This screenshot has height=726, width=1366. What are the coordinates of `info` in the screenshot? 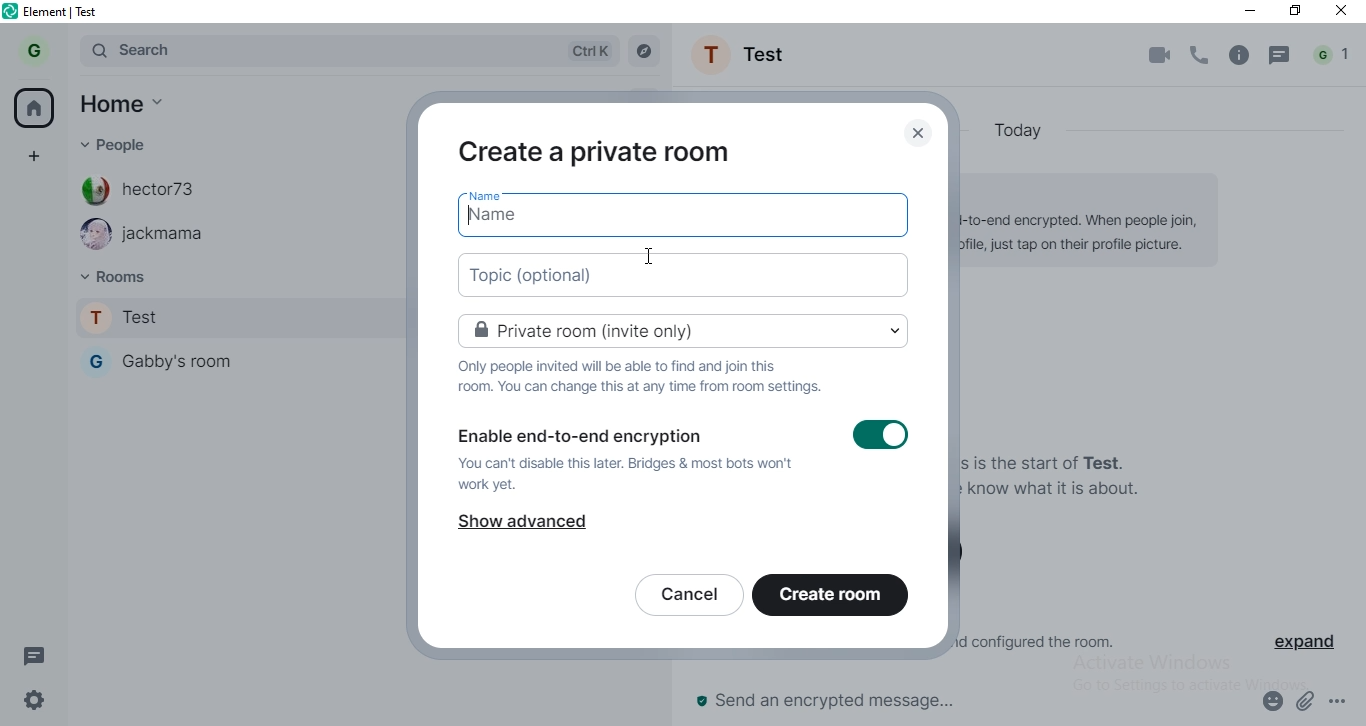 It's located at (1239, 55).